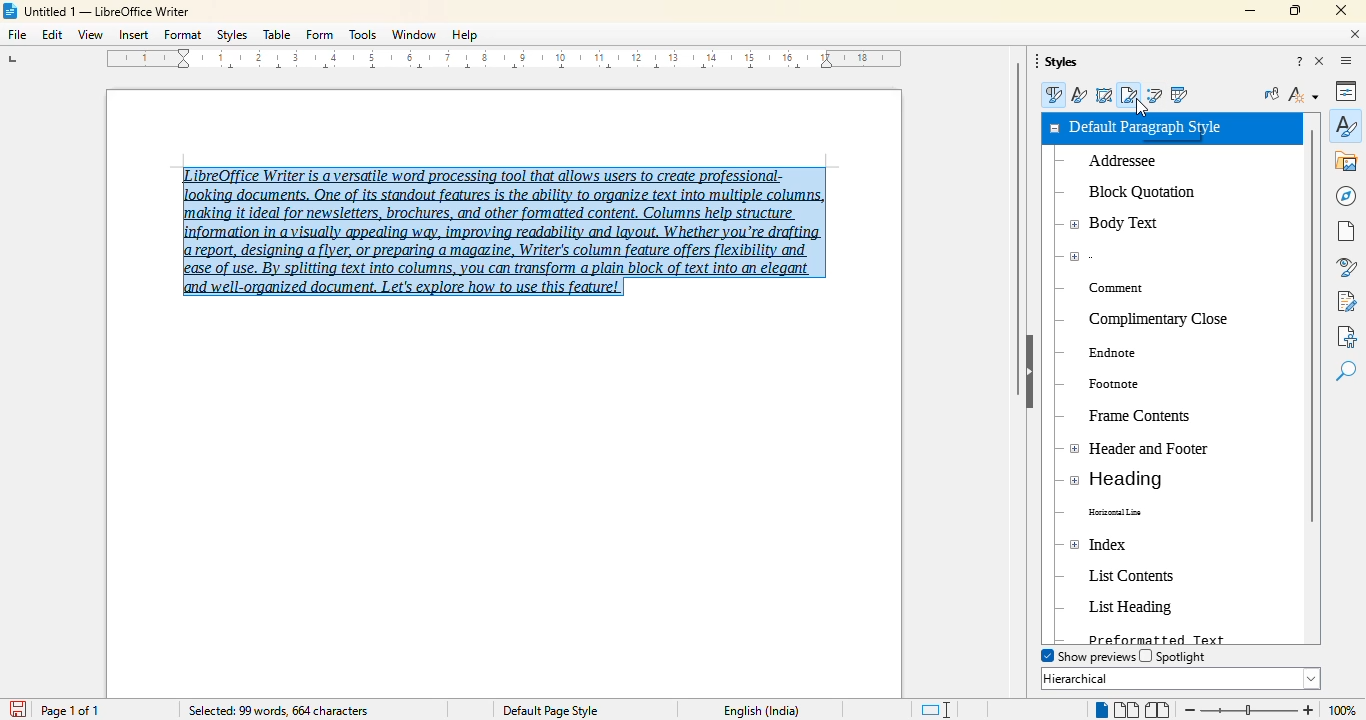  What do you see at coordinates (1144, 607) in the screenshot?
I see `List Headings` at bounding box center [1144, 607].